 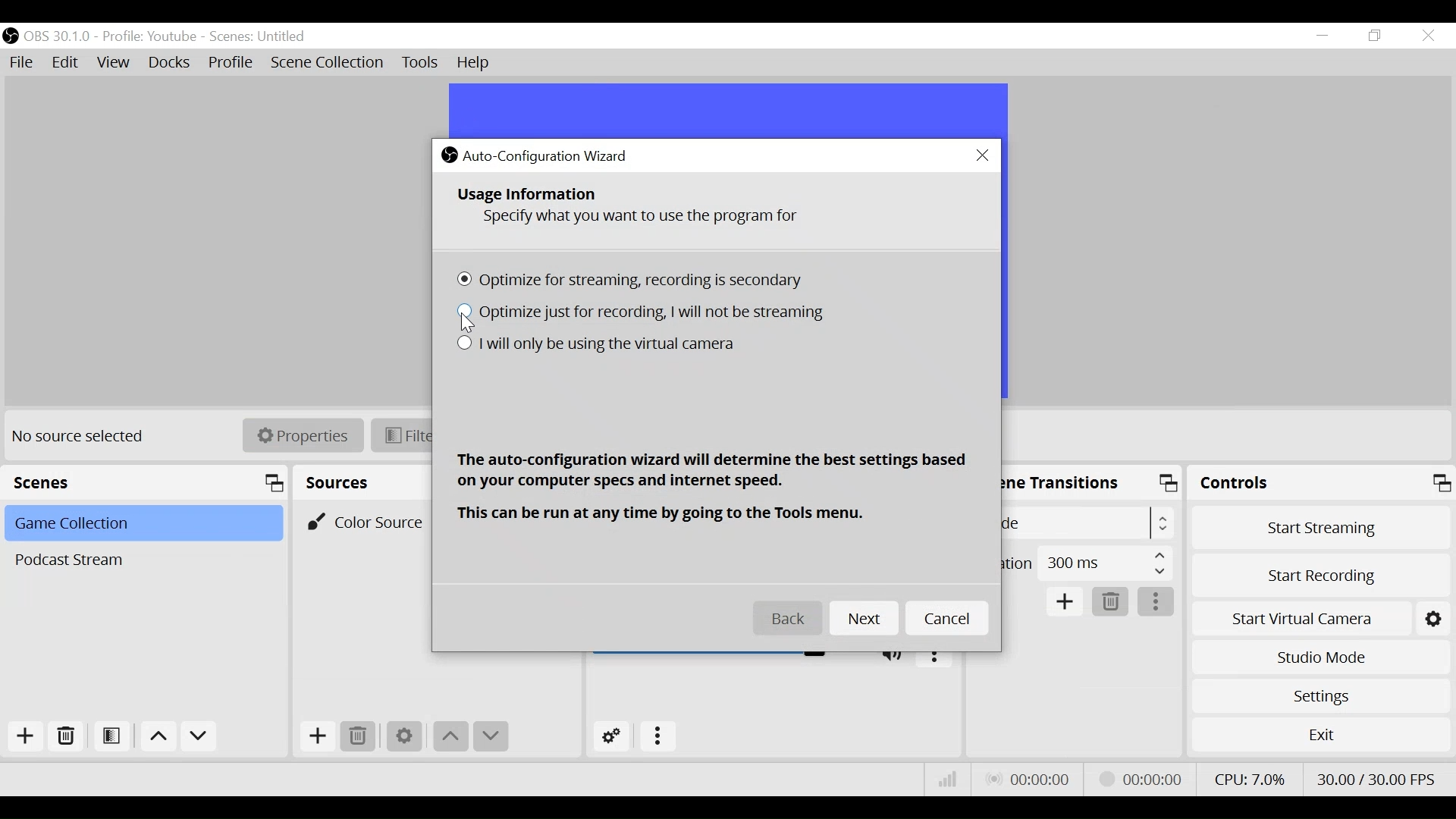 I want to click on Usage Information, so click(x=529, y=194).